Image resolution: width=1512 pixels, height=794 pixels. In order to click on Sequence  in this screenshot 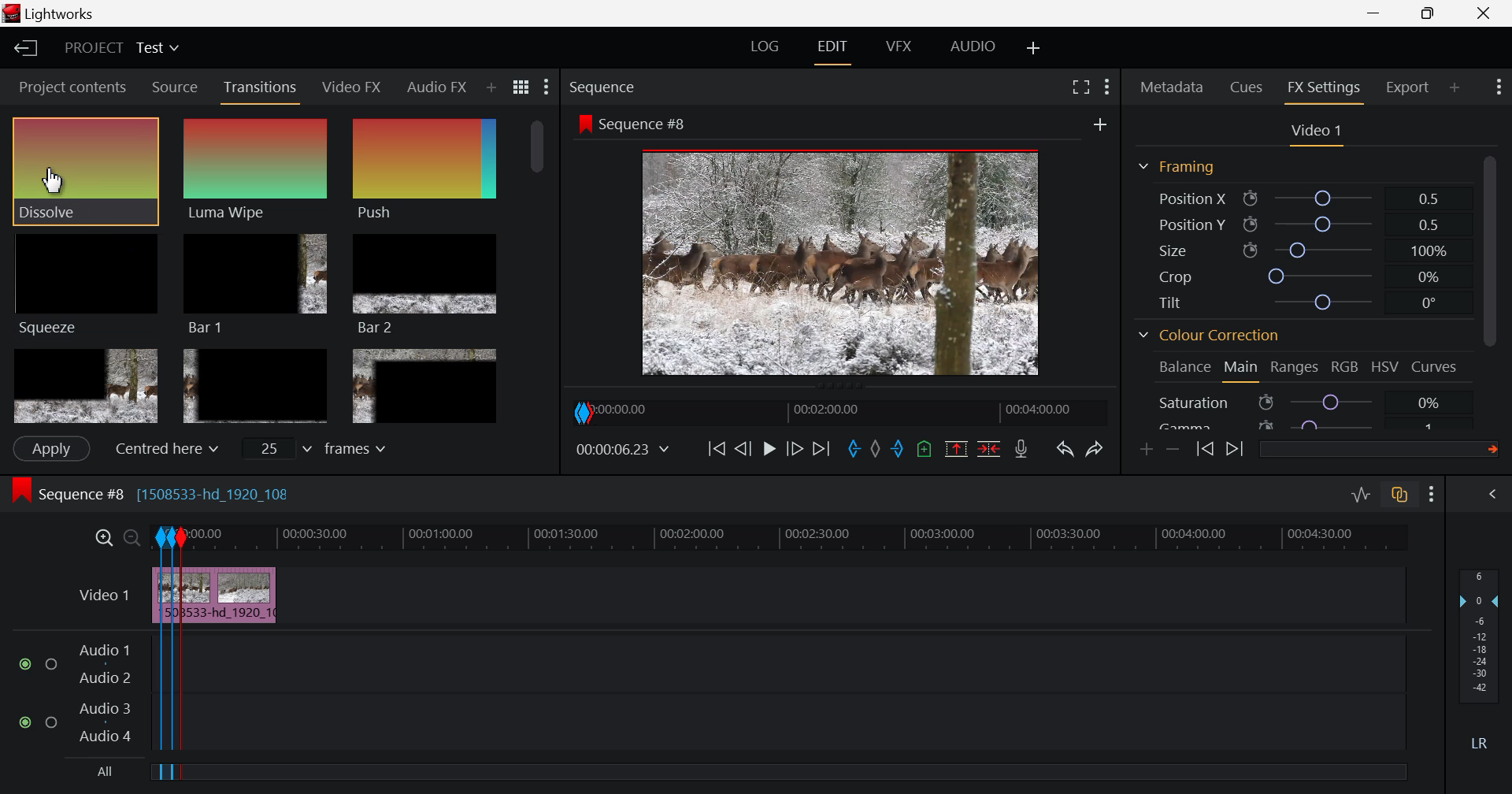, I will do `click(606, 87)`.